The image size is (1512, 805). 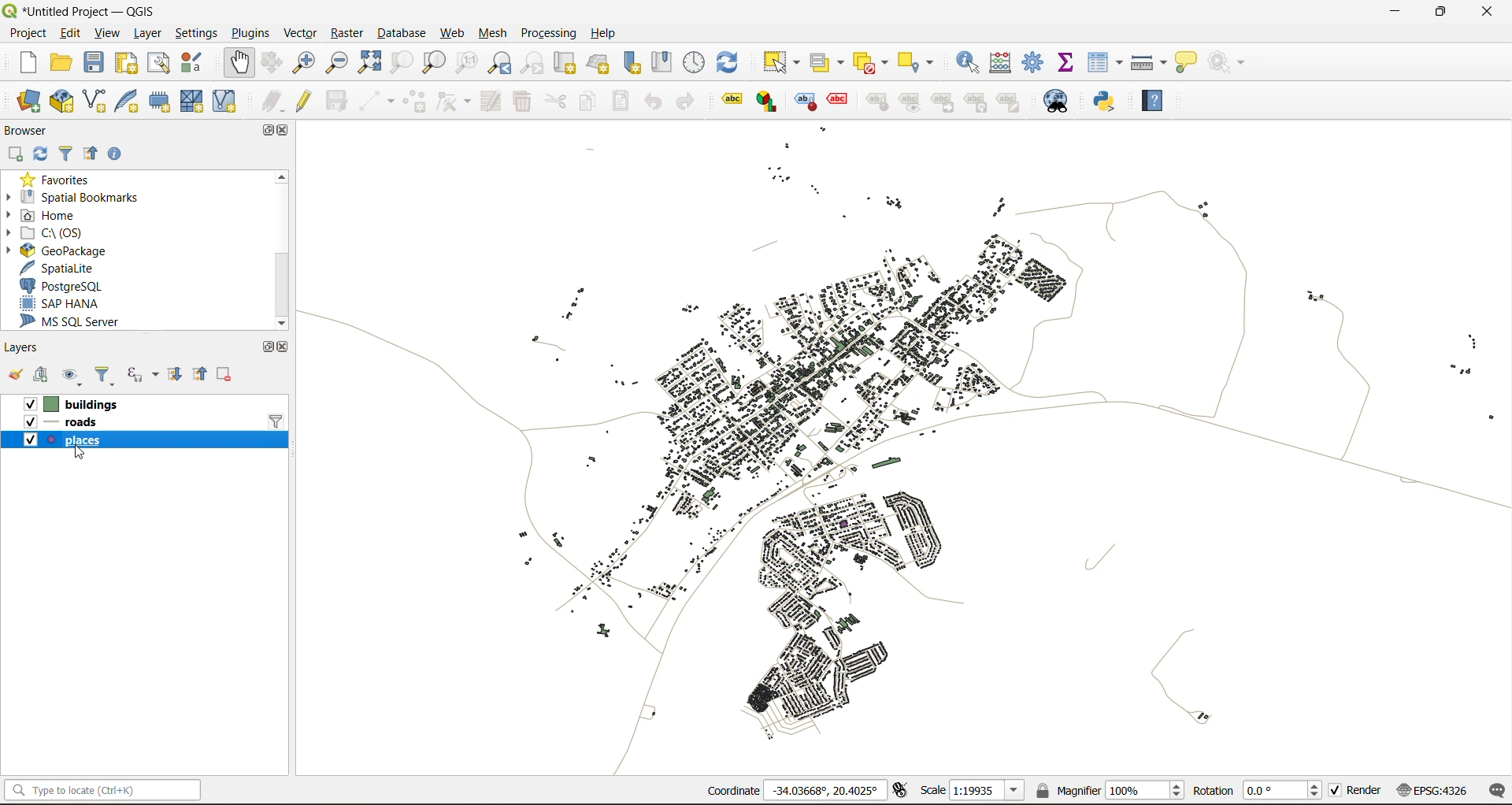 What do you see at coordinates (95, 99) in the screenshot?
I see `new shapefile` at bounding box center [95, 99].